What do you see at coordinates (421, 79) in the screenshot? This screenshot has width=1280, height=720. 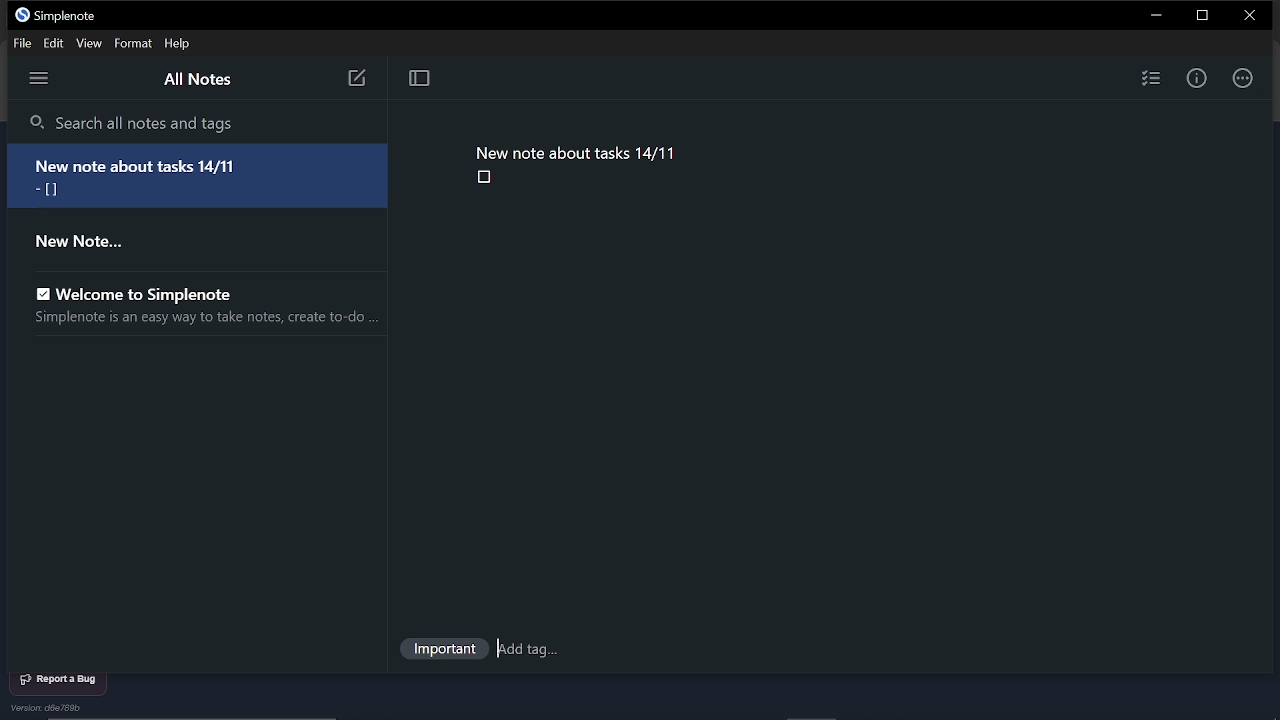 I see `Togggle focus mode` at bounding box center [421, 79].